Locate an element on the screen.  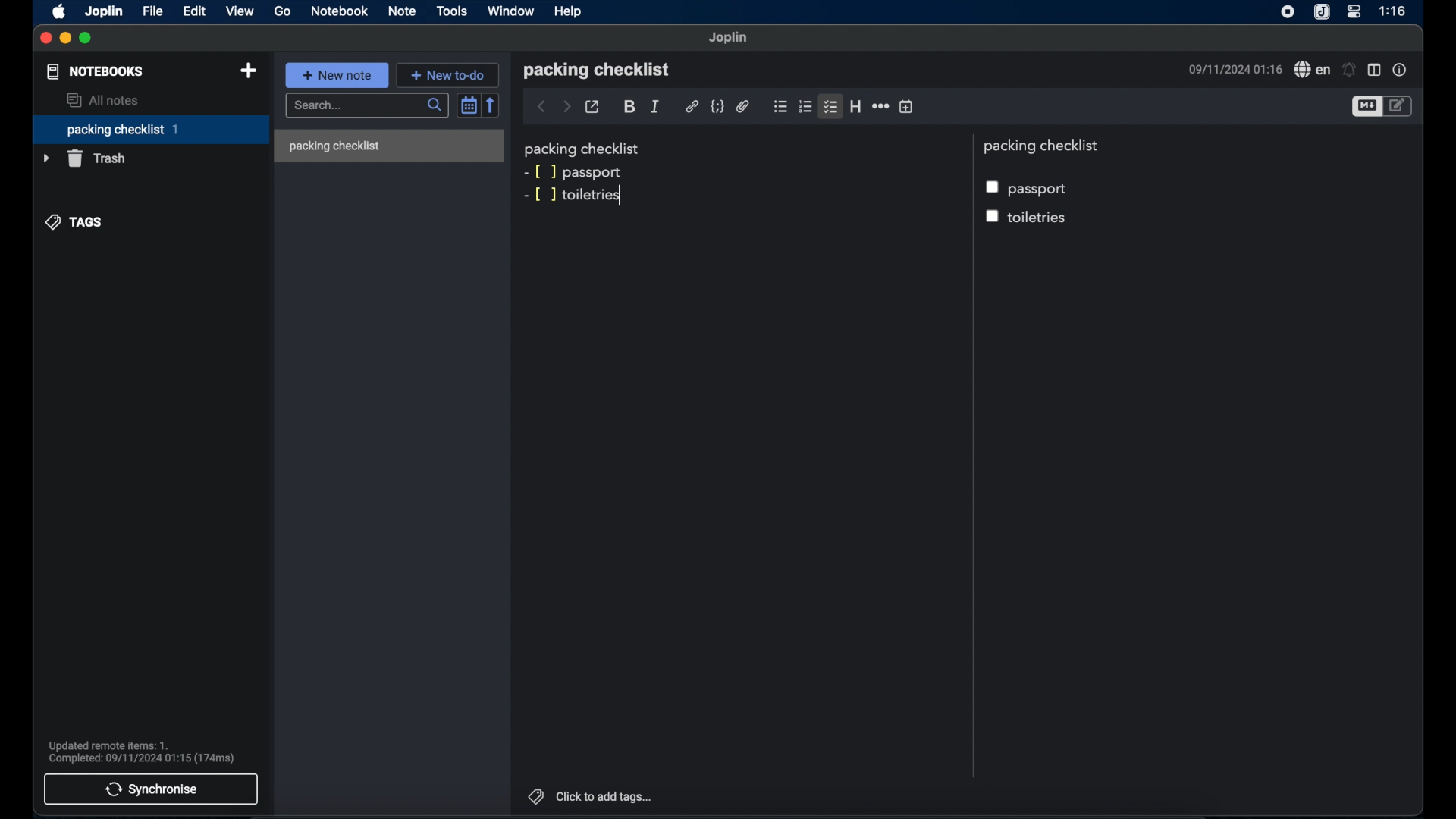
divider is located at coordinates (971, 456).